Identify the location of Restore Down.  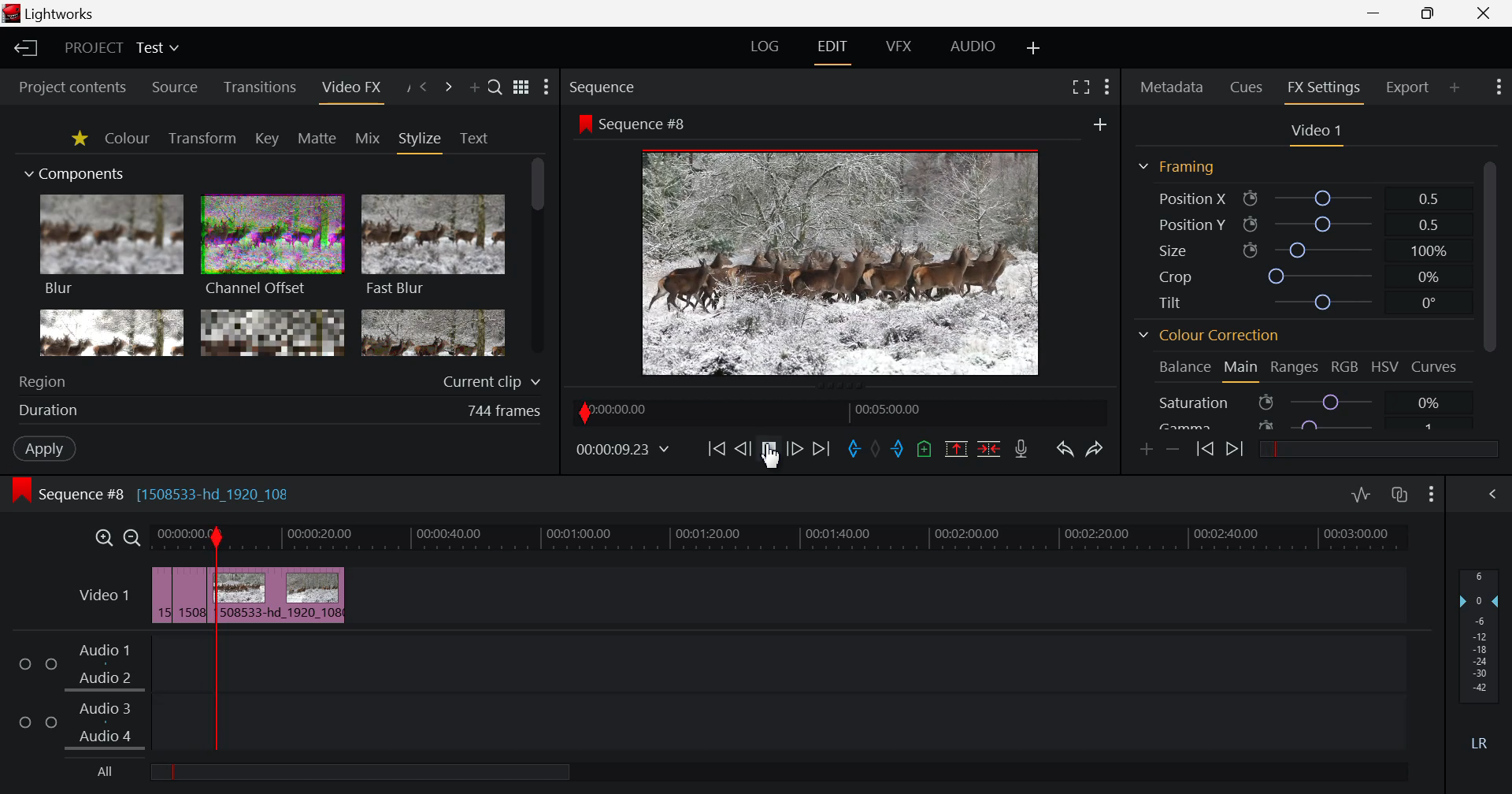
(1376, 13).